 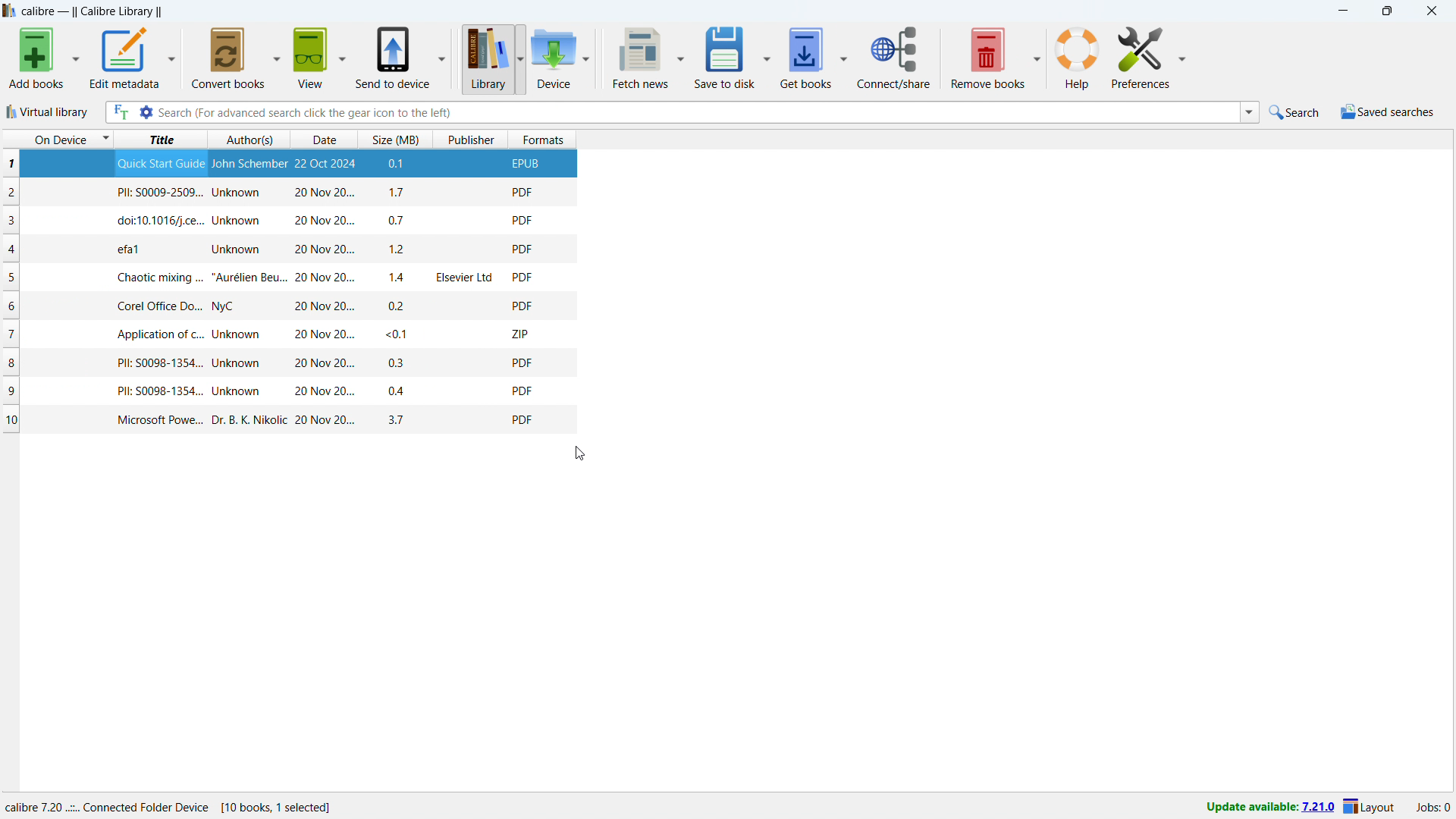 What do you see at coordinates (326, 139) in the screenshot?
I see `sort by date` at bounding box center [326, 139].